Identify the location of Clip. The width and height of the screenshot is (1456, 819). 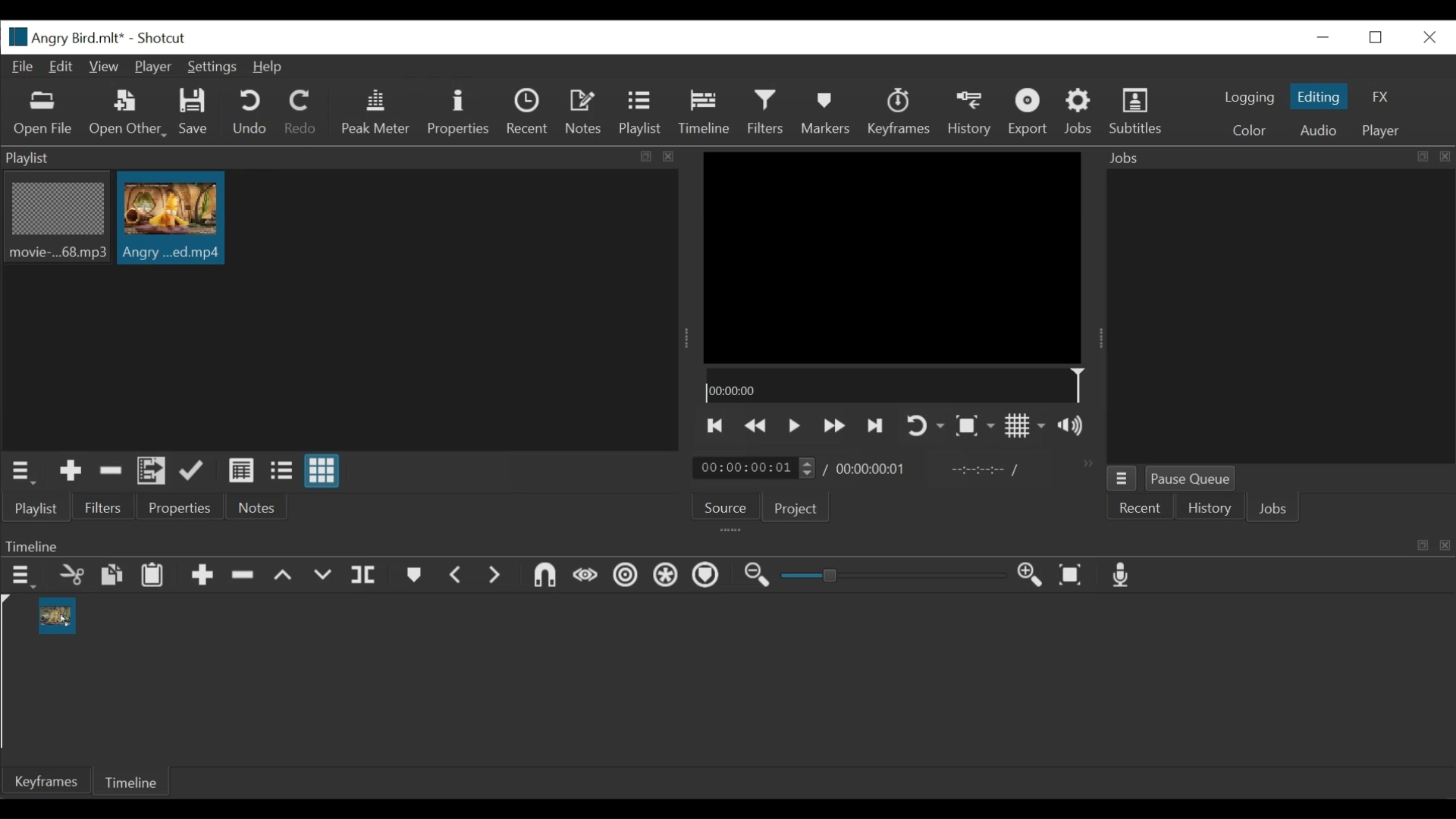
(55, 219).